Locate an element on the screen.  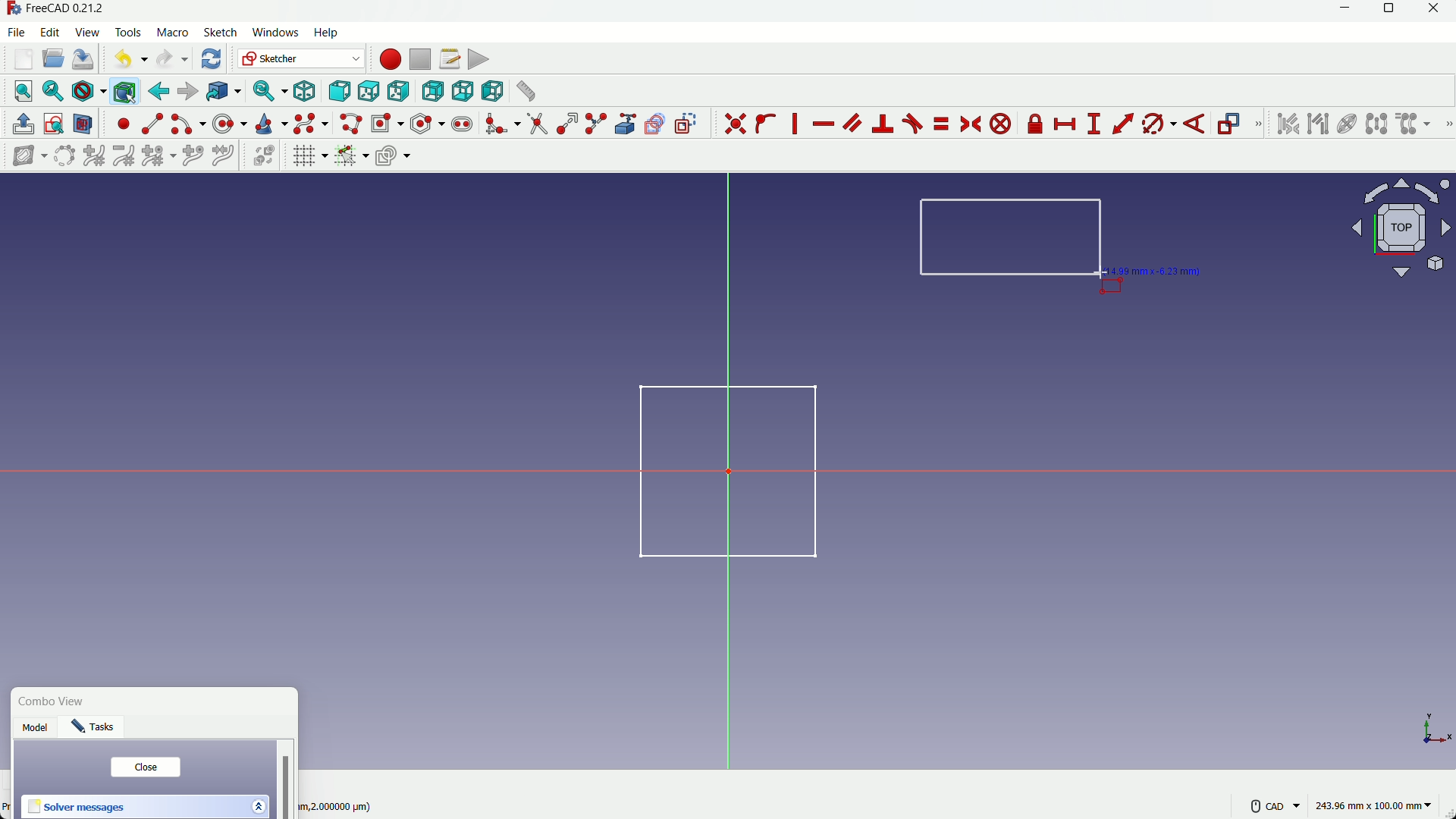
create slot is located at coordinates (462, 124).